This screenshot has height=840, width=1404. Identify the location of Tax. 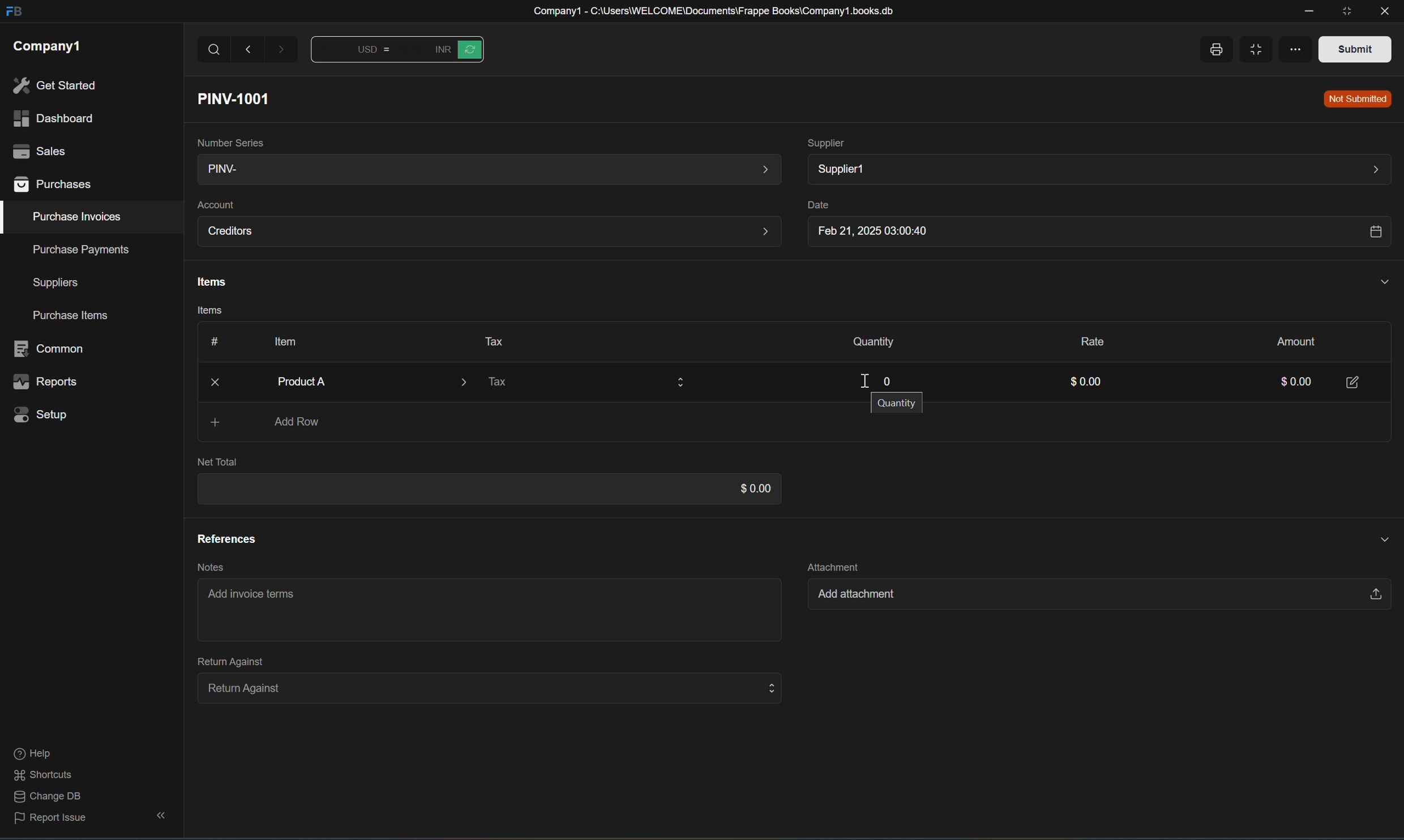
(489, 340).